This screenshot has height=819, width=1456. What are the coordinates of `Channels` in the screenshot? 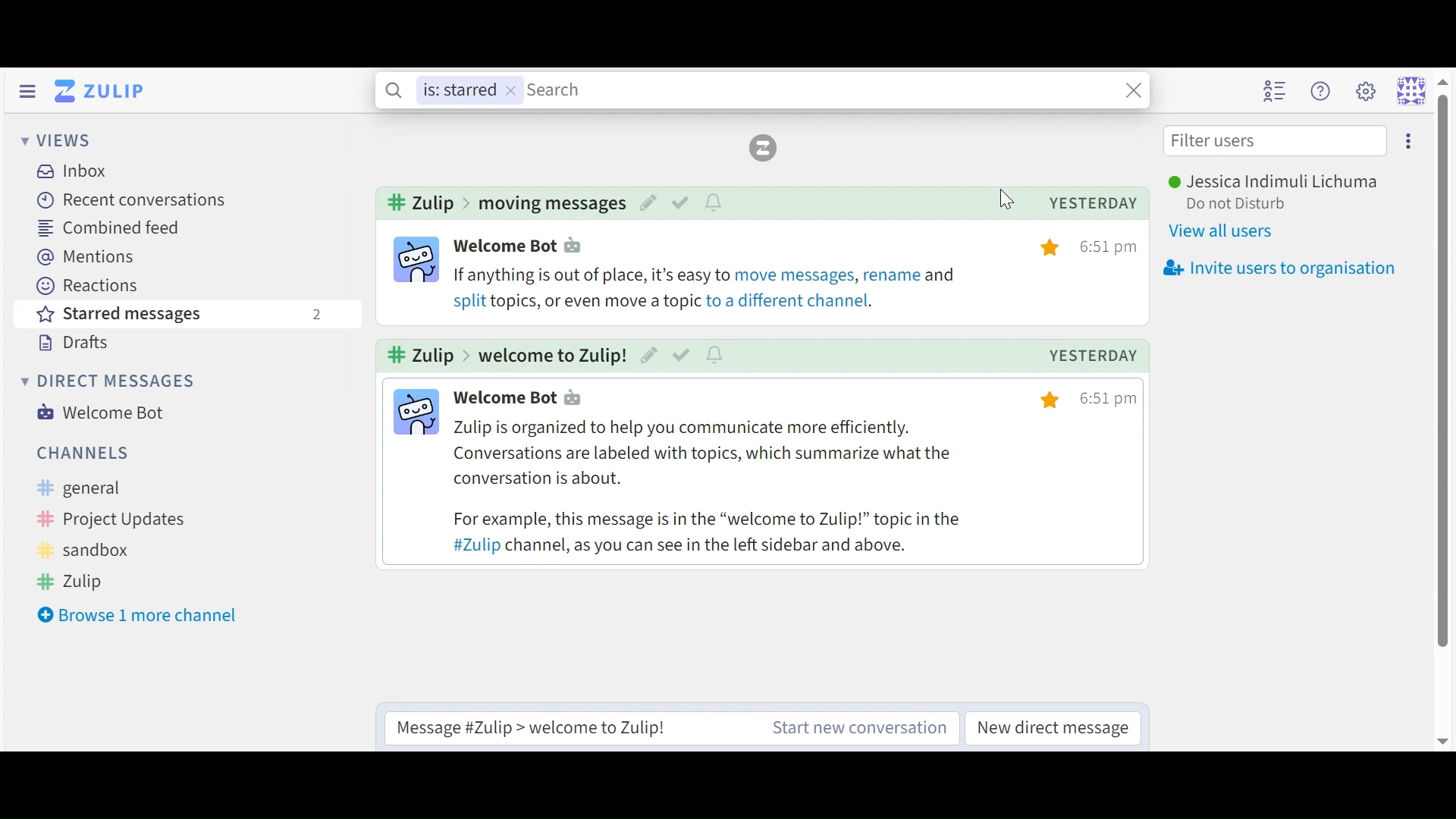 It's located at (83, 453).